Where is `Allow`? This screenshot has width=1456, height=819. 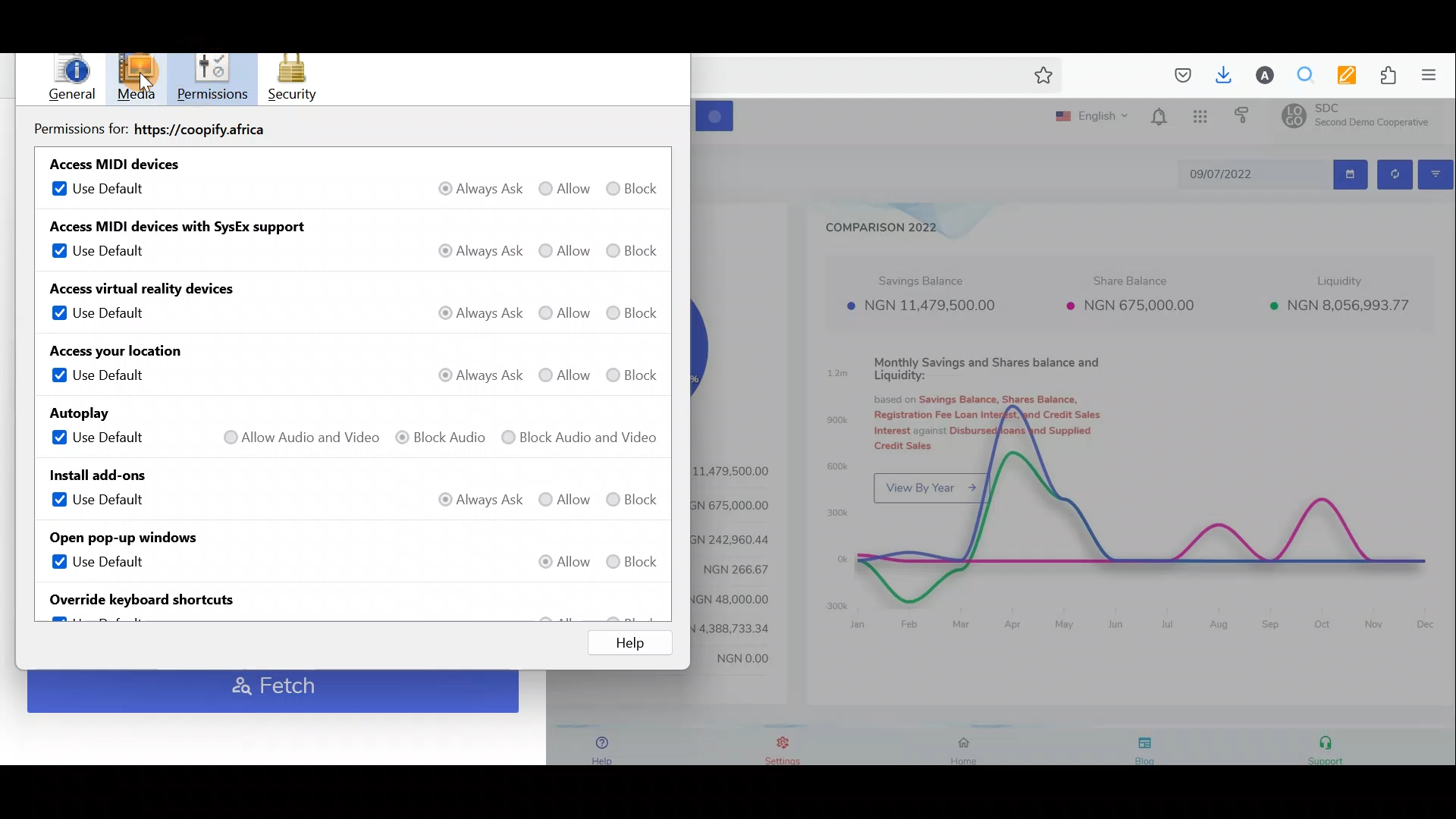 Allow is located at coordinates (568, 313).